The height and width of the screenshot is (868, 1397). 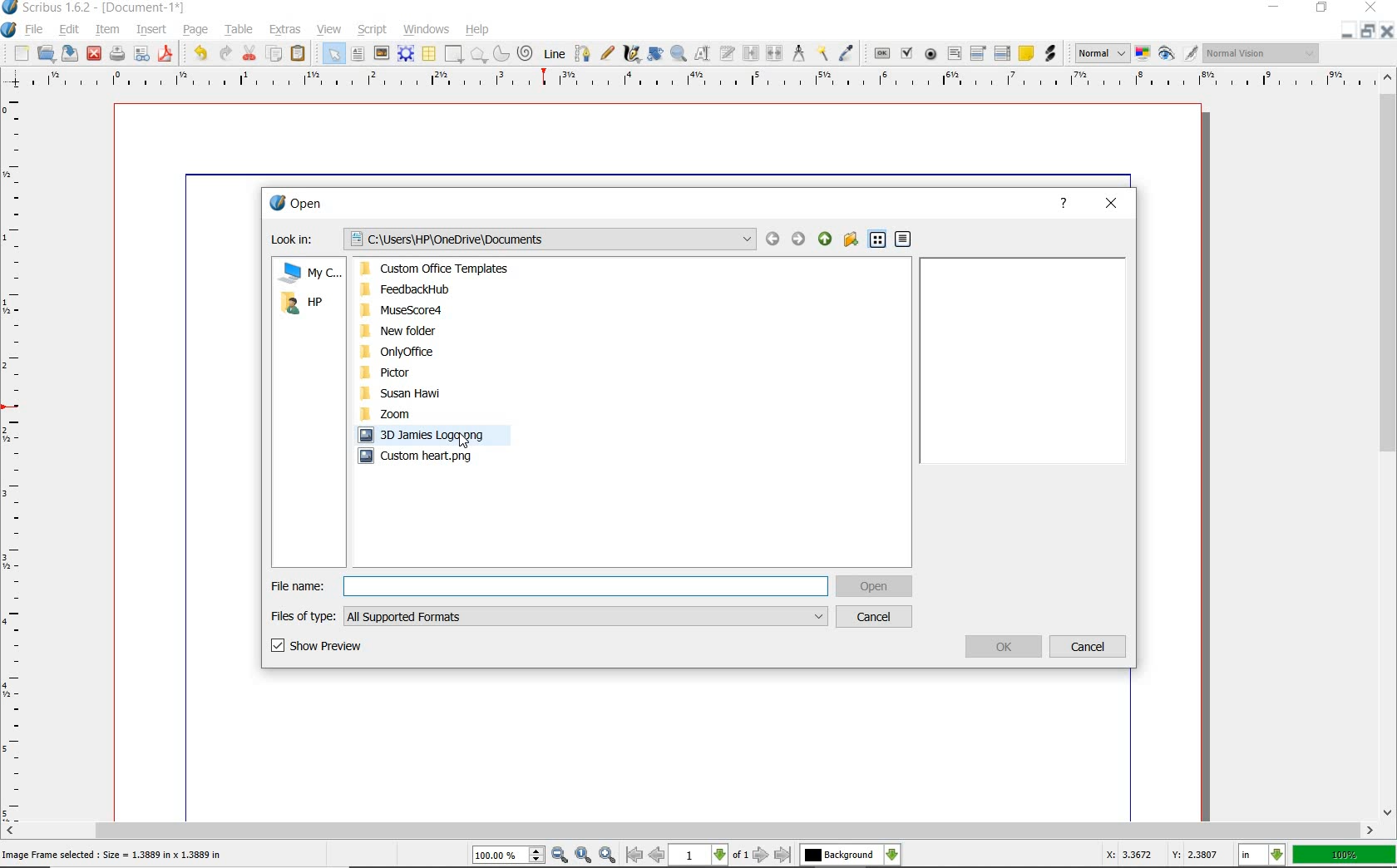 I want to click on close, so click(x=1111, y=205).